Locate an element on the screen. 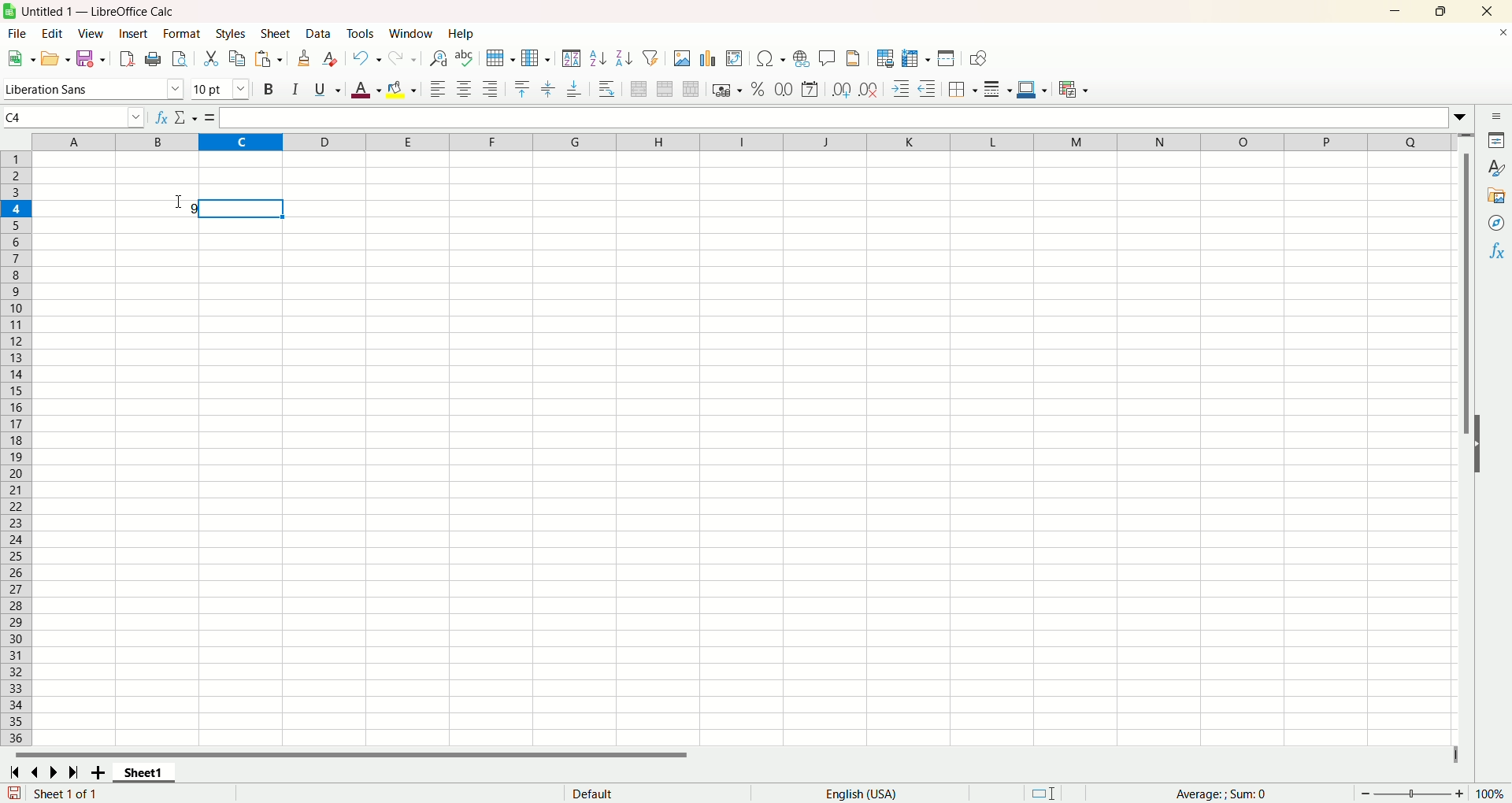 This screenshot has height=803, width=1512. remove formatting is located at coordinates (333, 59).